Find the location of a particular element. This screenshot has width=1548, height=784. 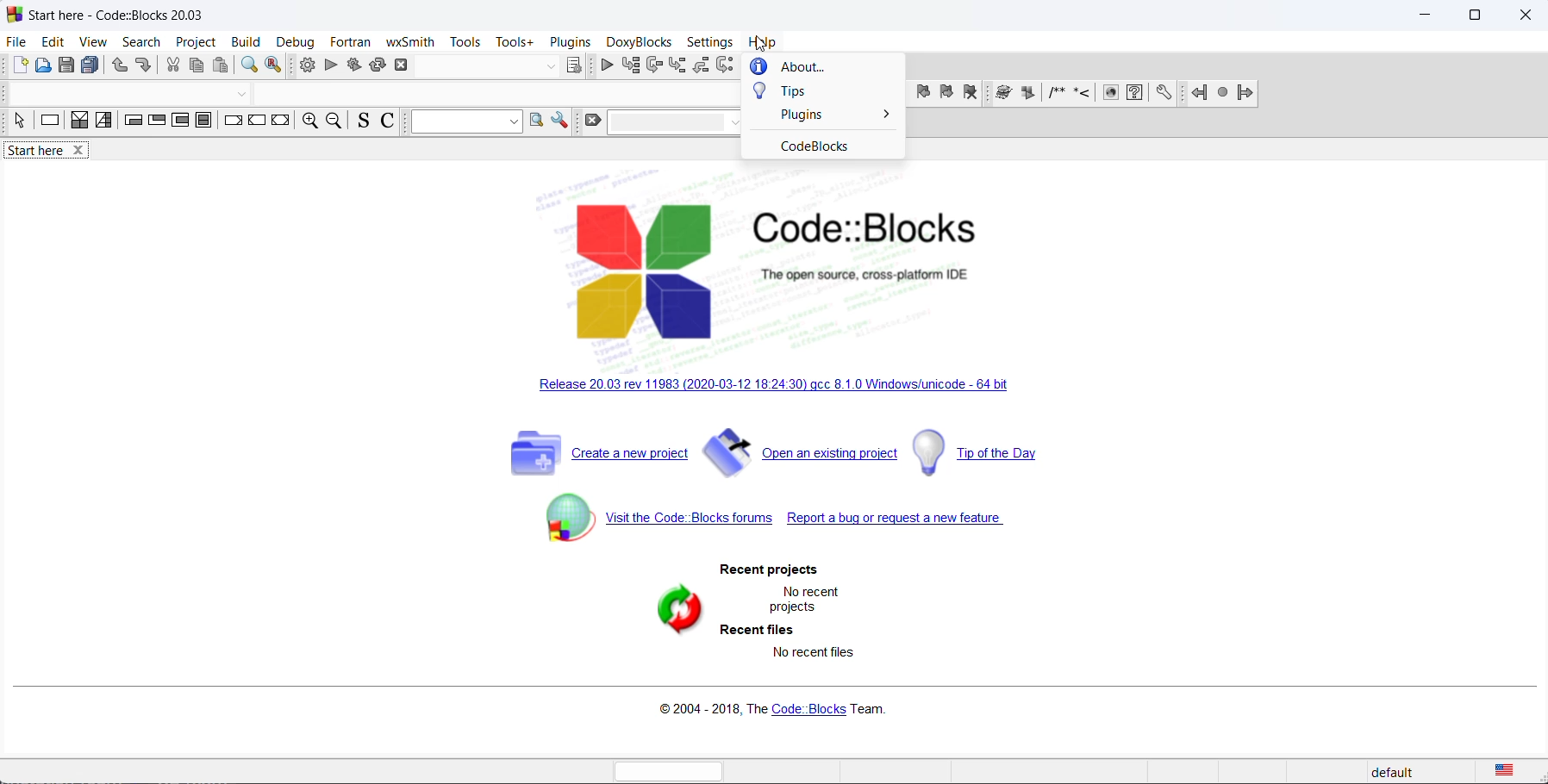

open is located at coordinates (45, 66).